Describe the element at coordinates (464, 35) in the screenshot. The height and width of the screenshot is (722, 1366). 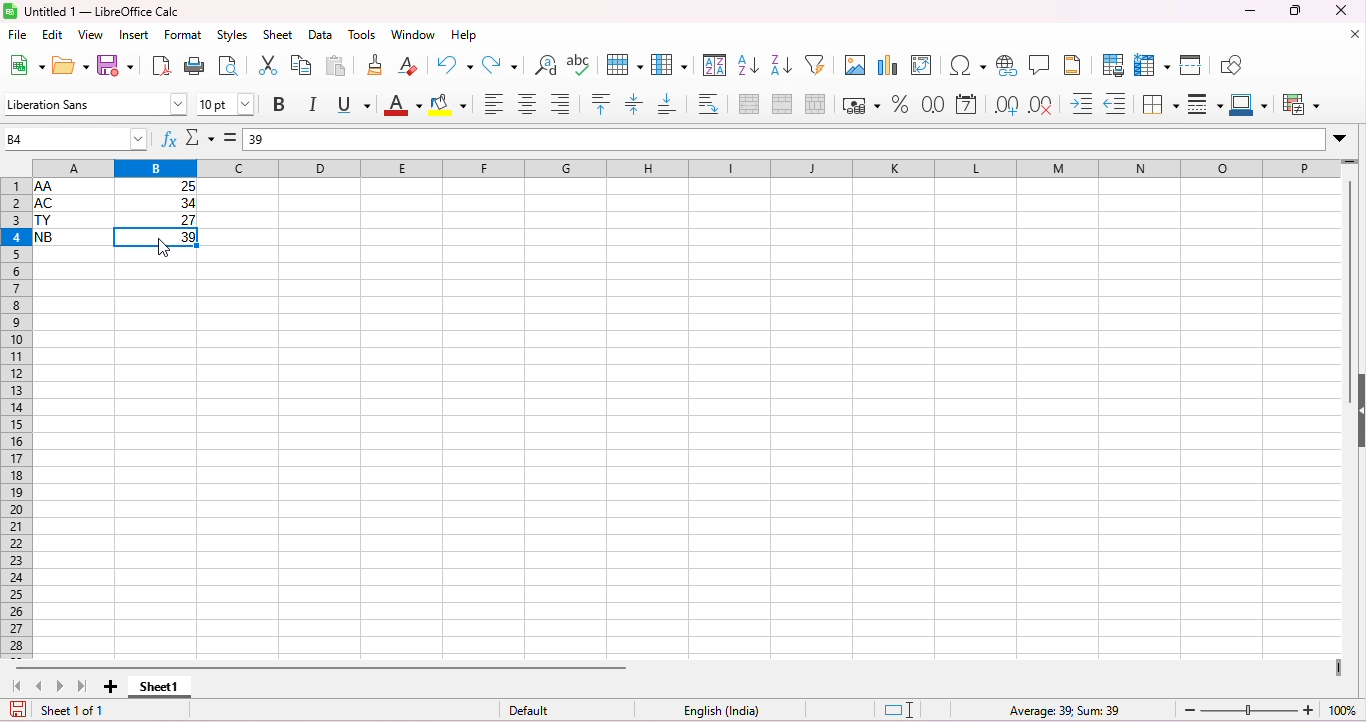
I see `help` at that location.